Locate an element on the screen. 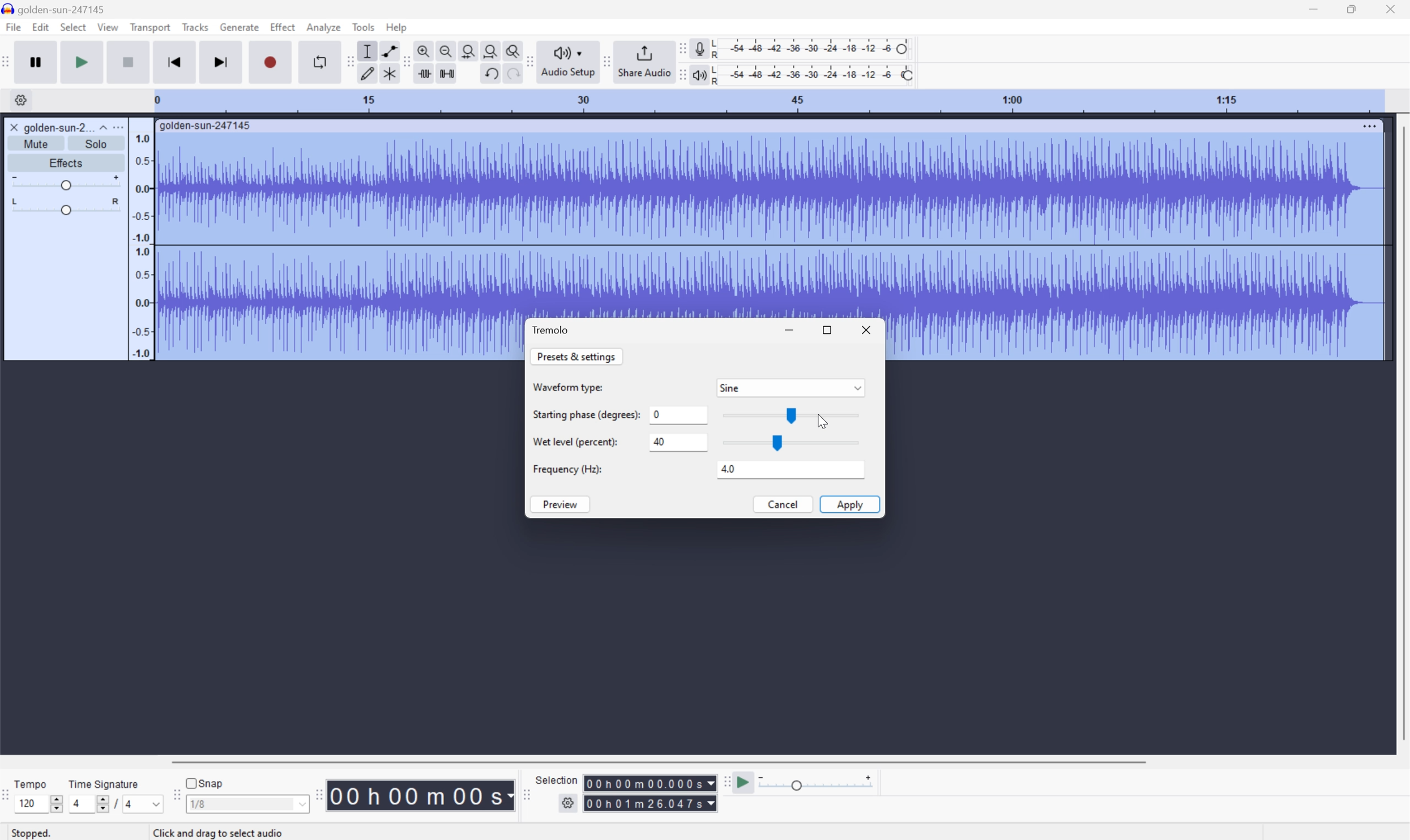 The image size is (1410, 840). Selection is located at coordinates (650, 803).